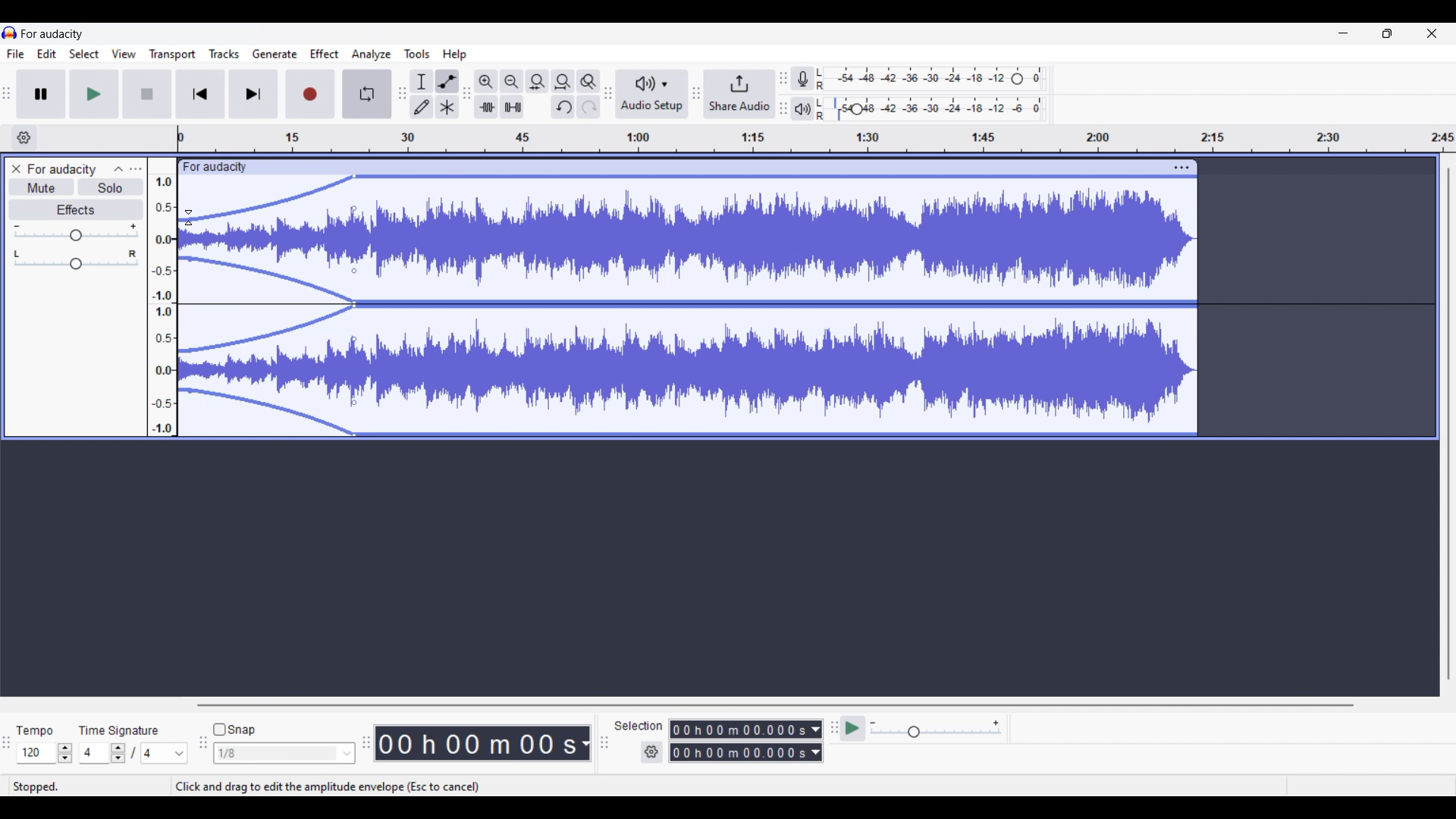 The height and width of the screenshot is (819, 1456). What do you see at coordinates (688, 306) in the screenshot?
I see `Track highlighted due to Envelop tool` at bounding box center [688, 306].